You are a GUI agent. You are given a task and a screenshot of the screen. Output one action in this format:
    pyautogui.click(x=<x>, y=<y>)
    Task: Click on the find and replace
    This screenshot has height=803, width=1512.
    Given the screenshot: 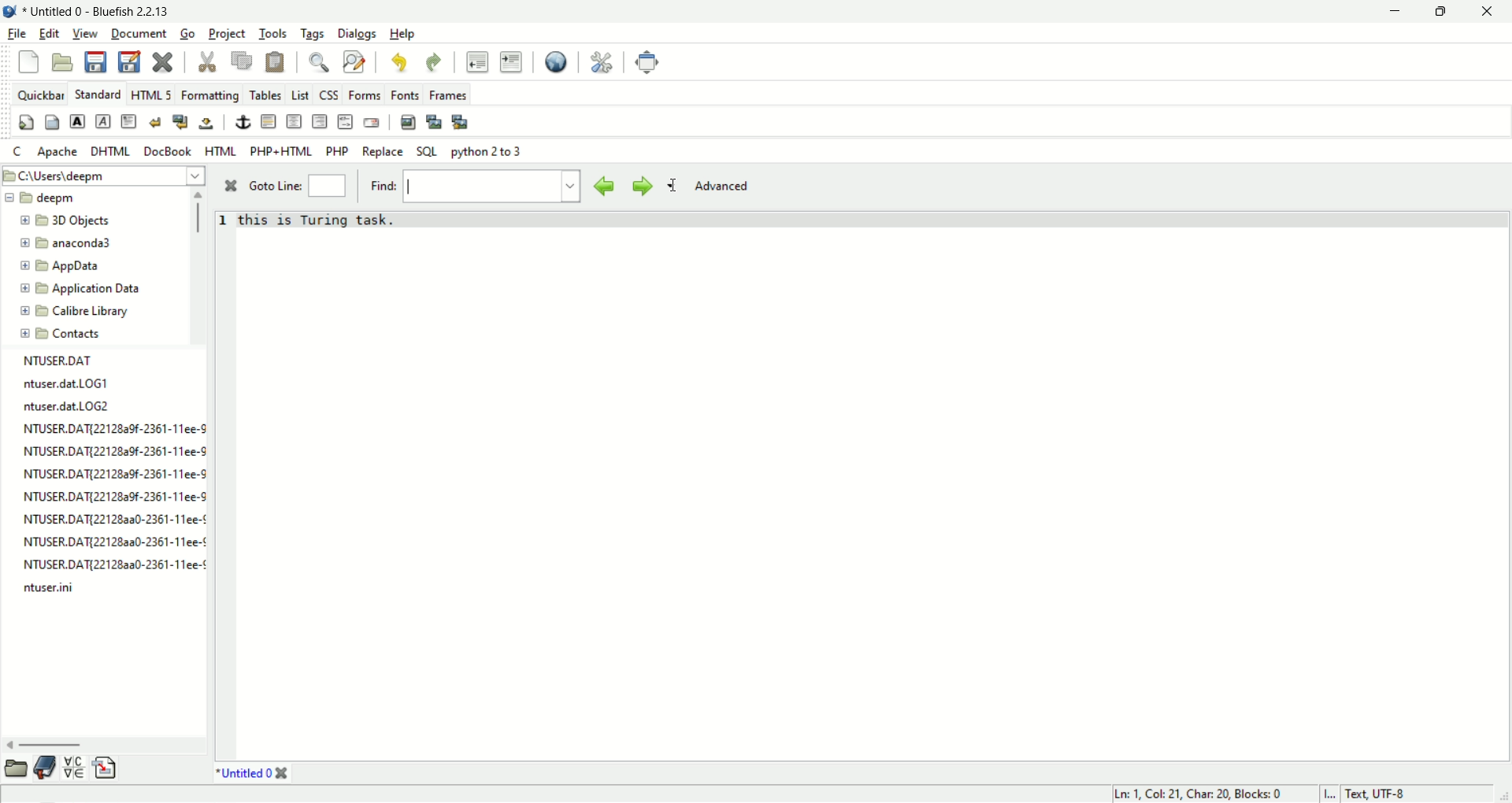 What is the action you would take?
    pyautogui.click(x=354, y=62)
    